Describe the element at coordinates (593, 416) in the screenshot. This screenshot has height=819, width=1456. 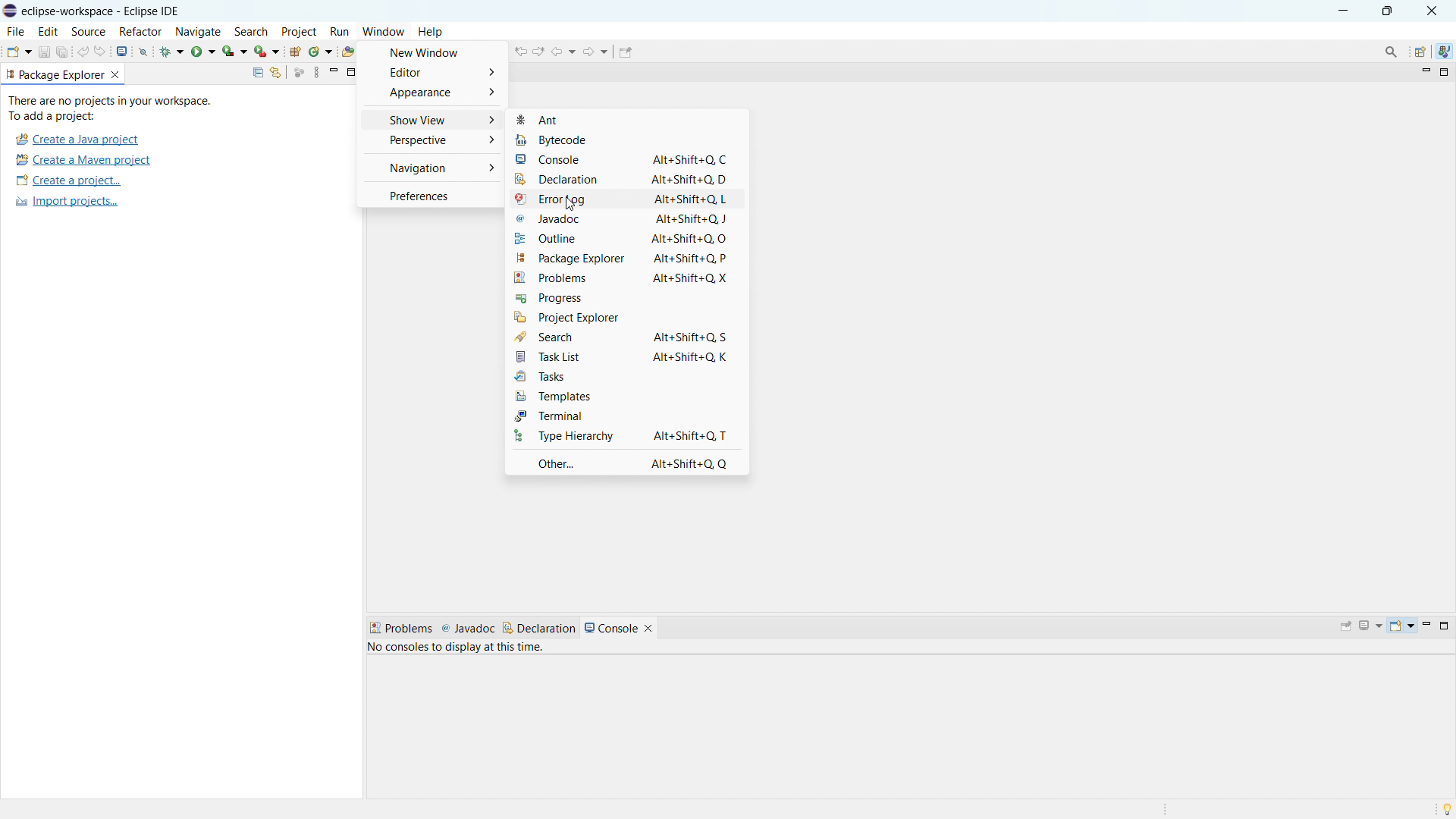
I see `Terminal` at that location.